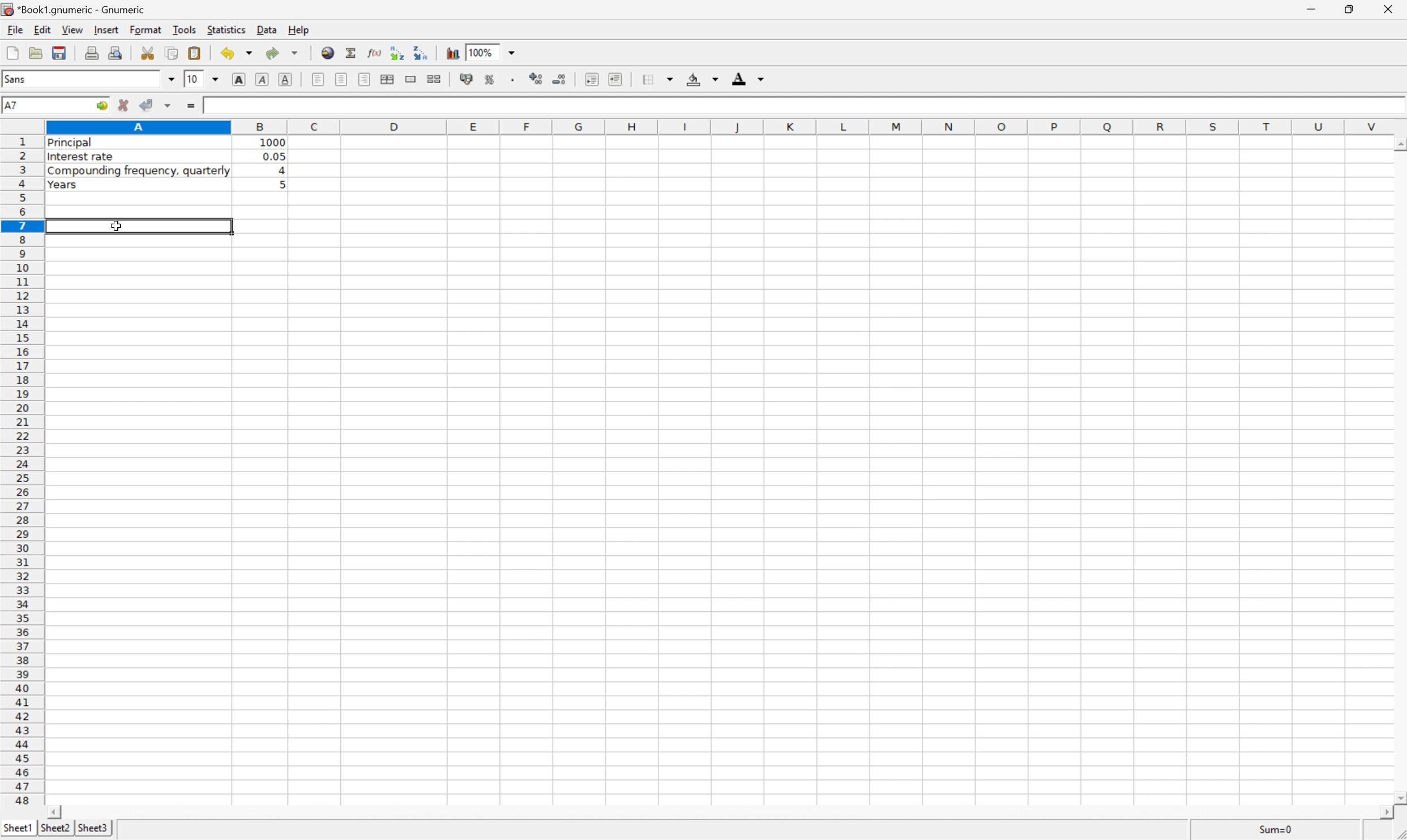 The height and width of the screenshot is (840, 1407). Describe the element at coordinates (352, 52) in the screenshot. I see `sum in current cell` at that location.